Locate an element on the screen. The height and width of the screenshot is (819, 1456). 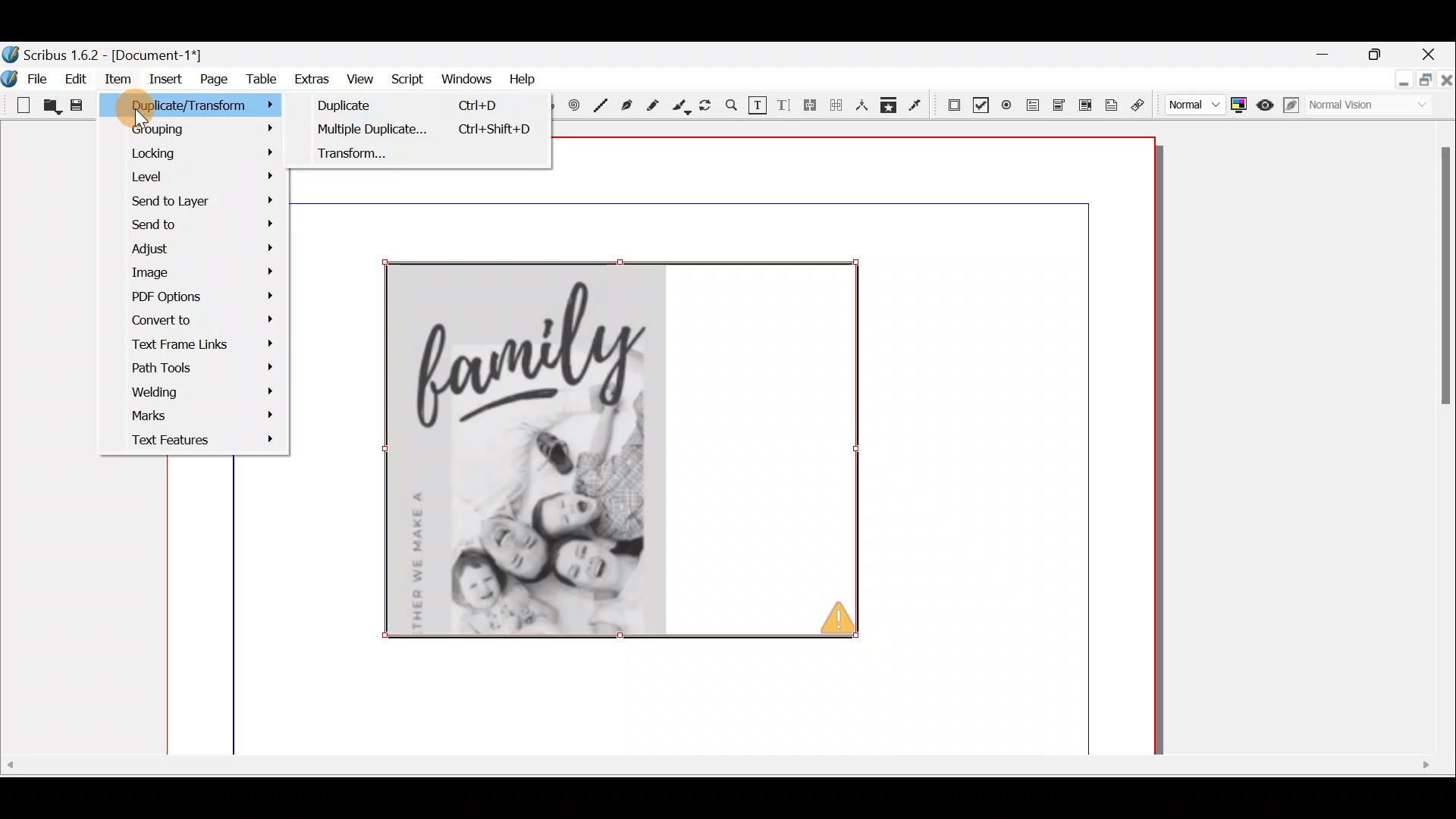
Duplicate/Transform is located at coordinates (221, 106).